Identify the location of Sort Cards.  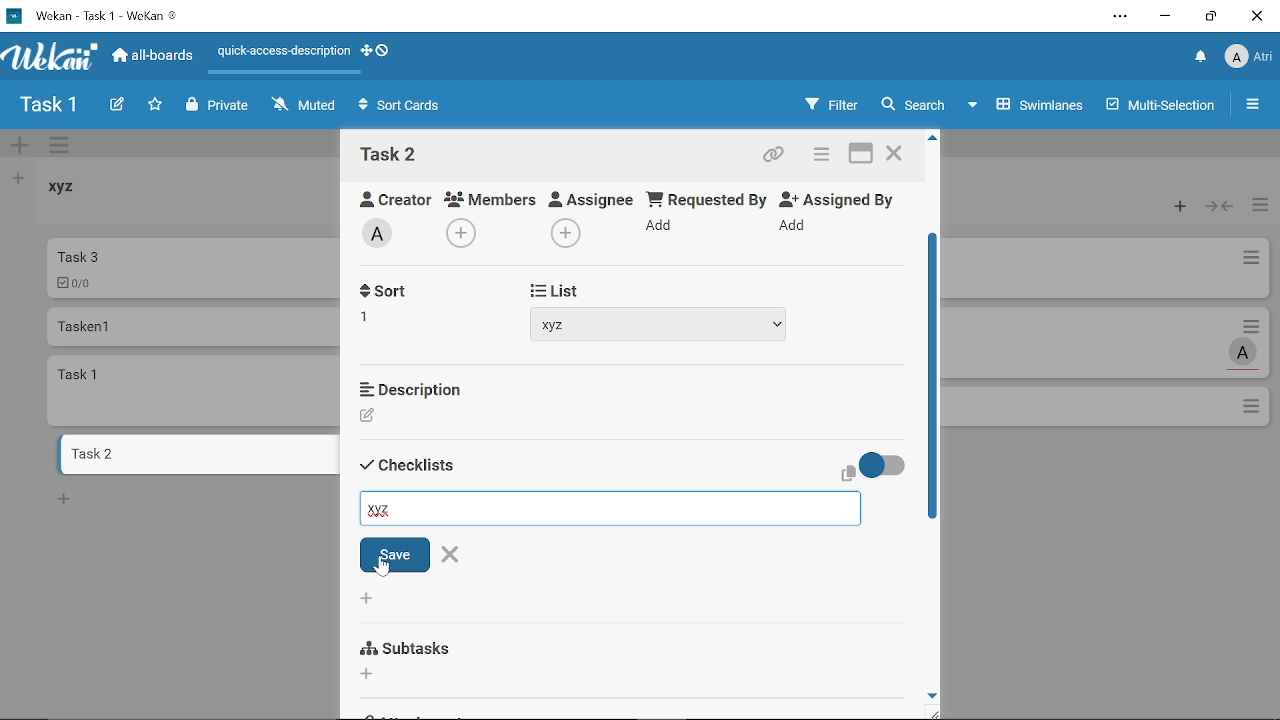
(404, 107).